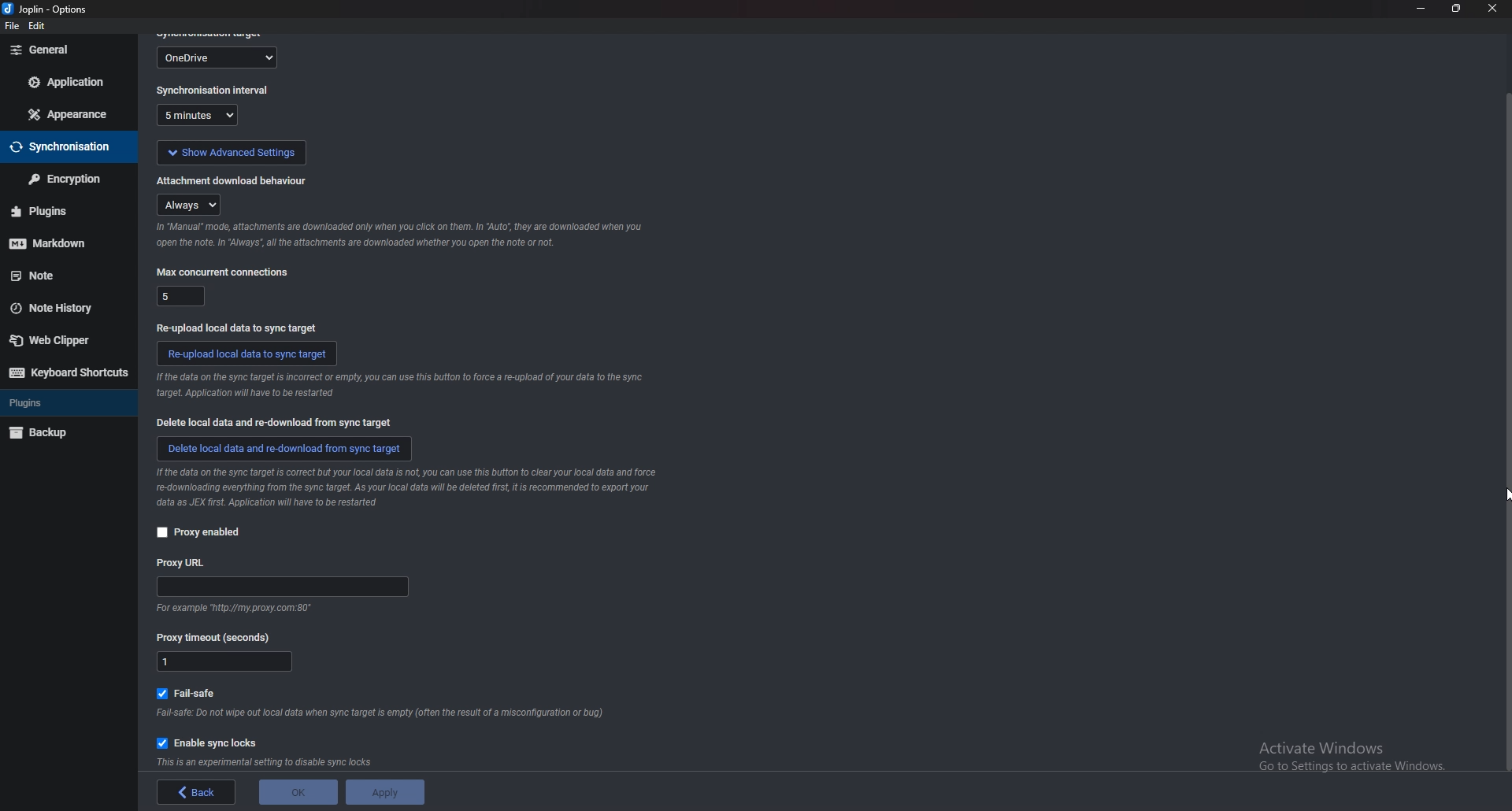 This screenshot has width=1512, height=811. What do you see at coordinates (68, 373) in the screenshot?
I see `keyboard shortcuts` at bounding box center [68, 373].